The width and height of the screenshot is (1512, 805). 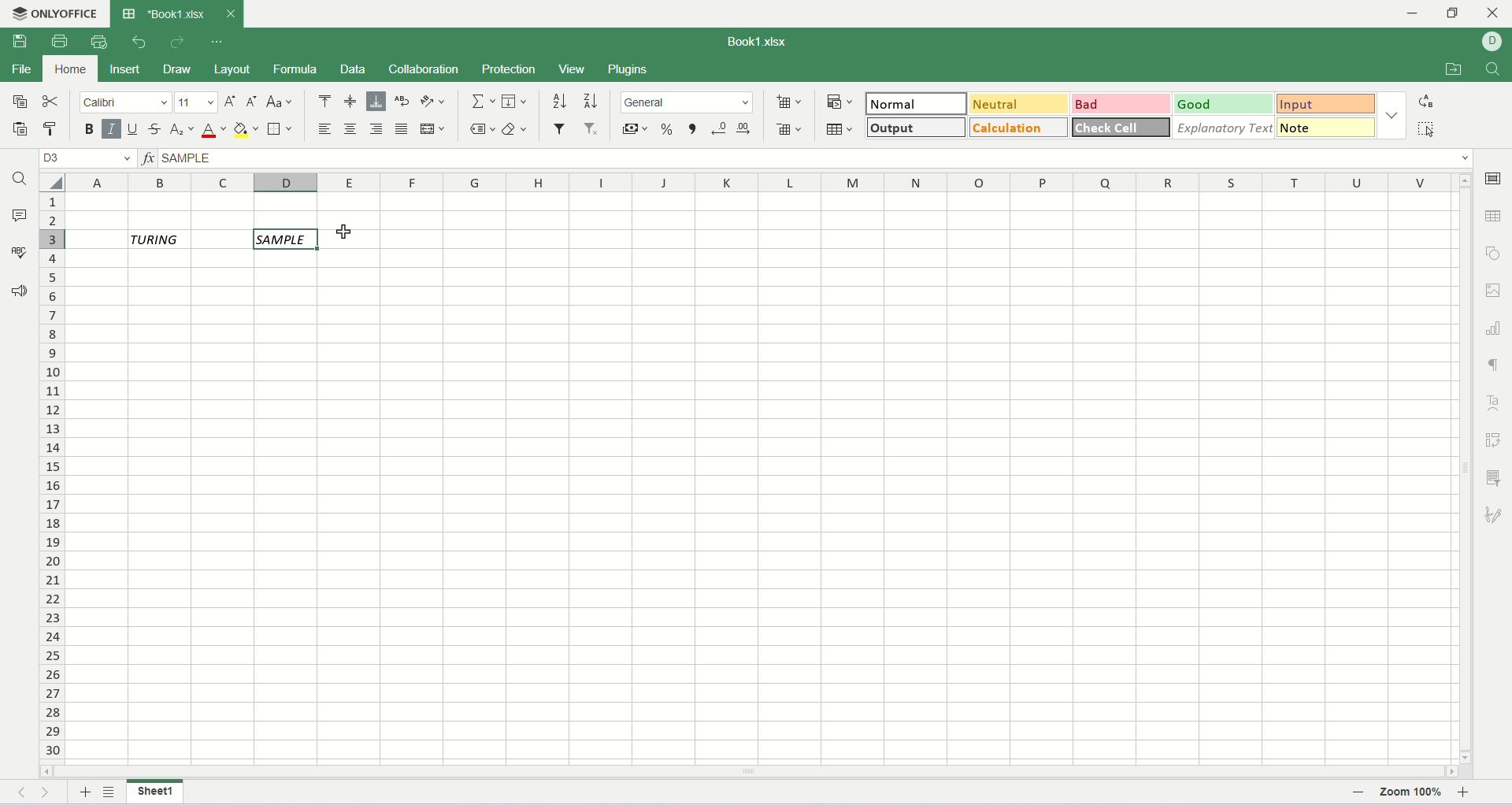 What do you see at coordinates (1223, 128) in the screenshot?
I see `explanatory text` at bounding box center [1223, 128].